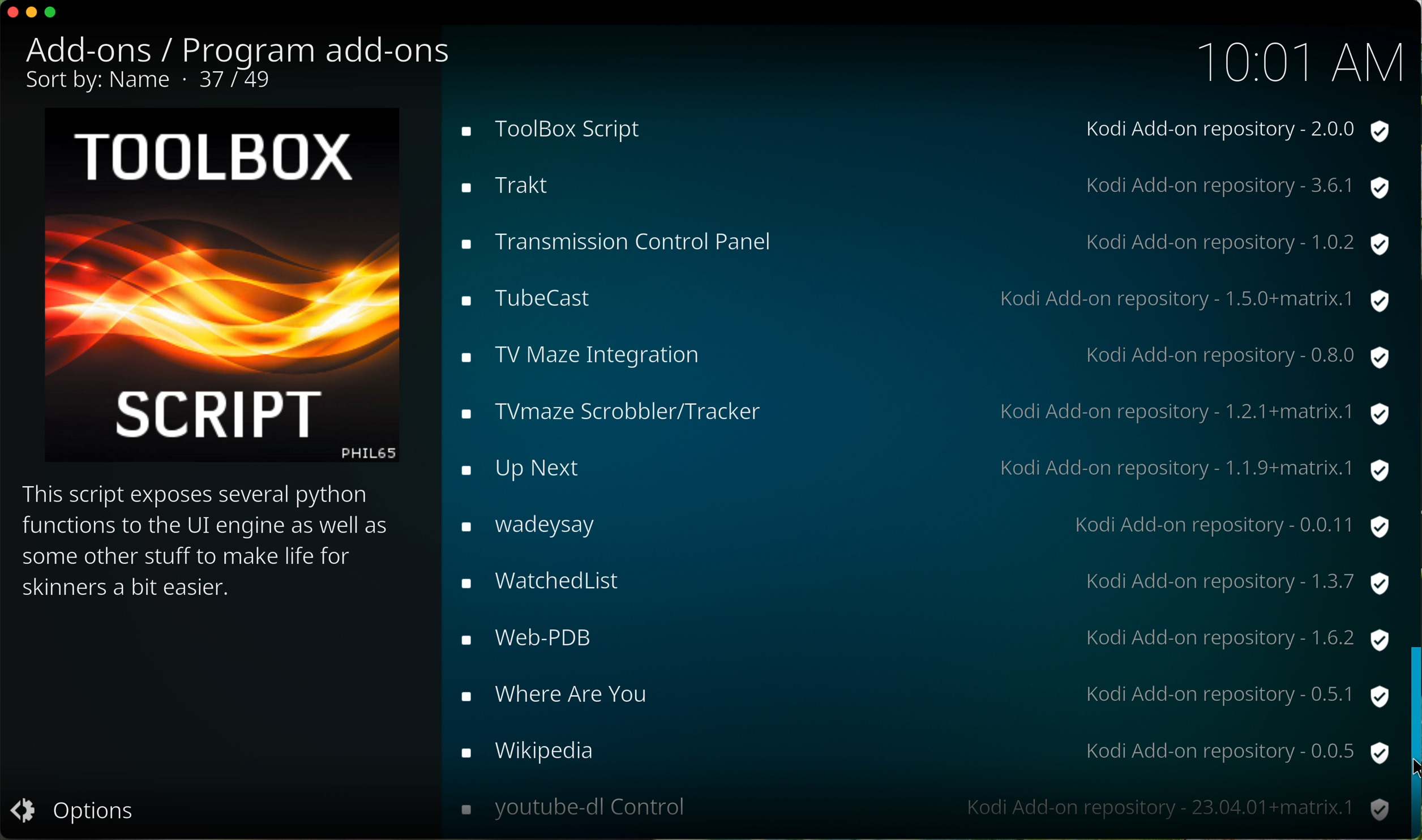 The height and width of the screenshot is (840, 1422). Describe the element at coordinates (32, 16) in the screenshot. I see `minimize` at that location.